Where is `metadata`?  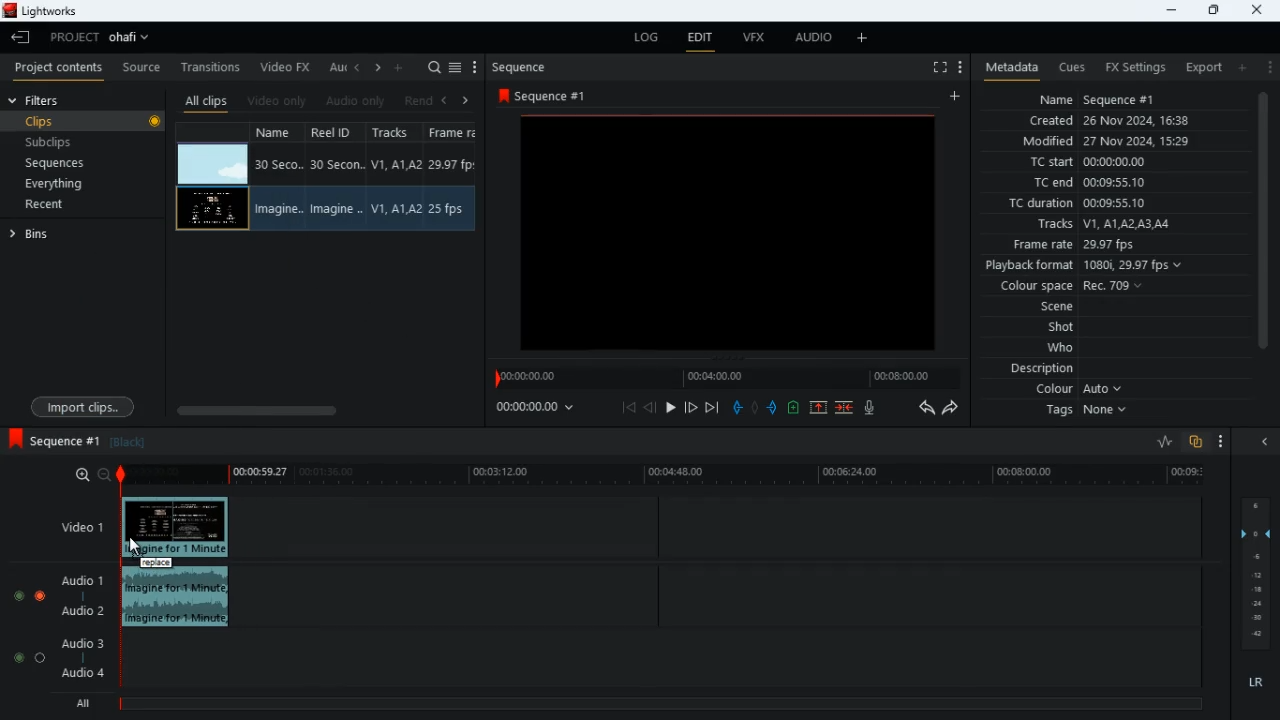
metadata is located at coordinates (1007, 68).